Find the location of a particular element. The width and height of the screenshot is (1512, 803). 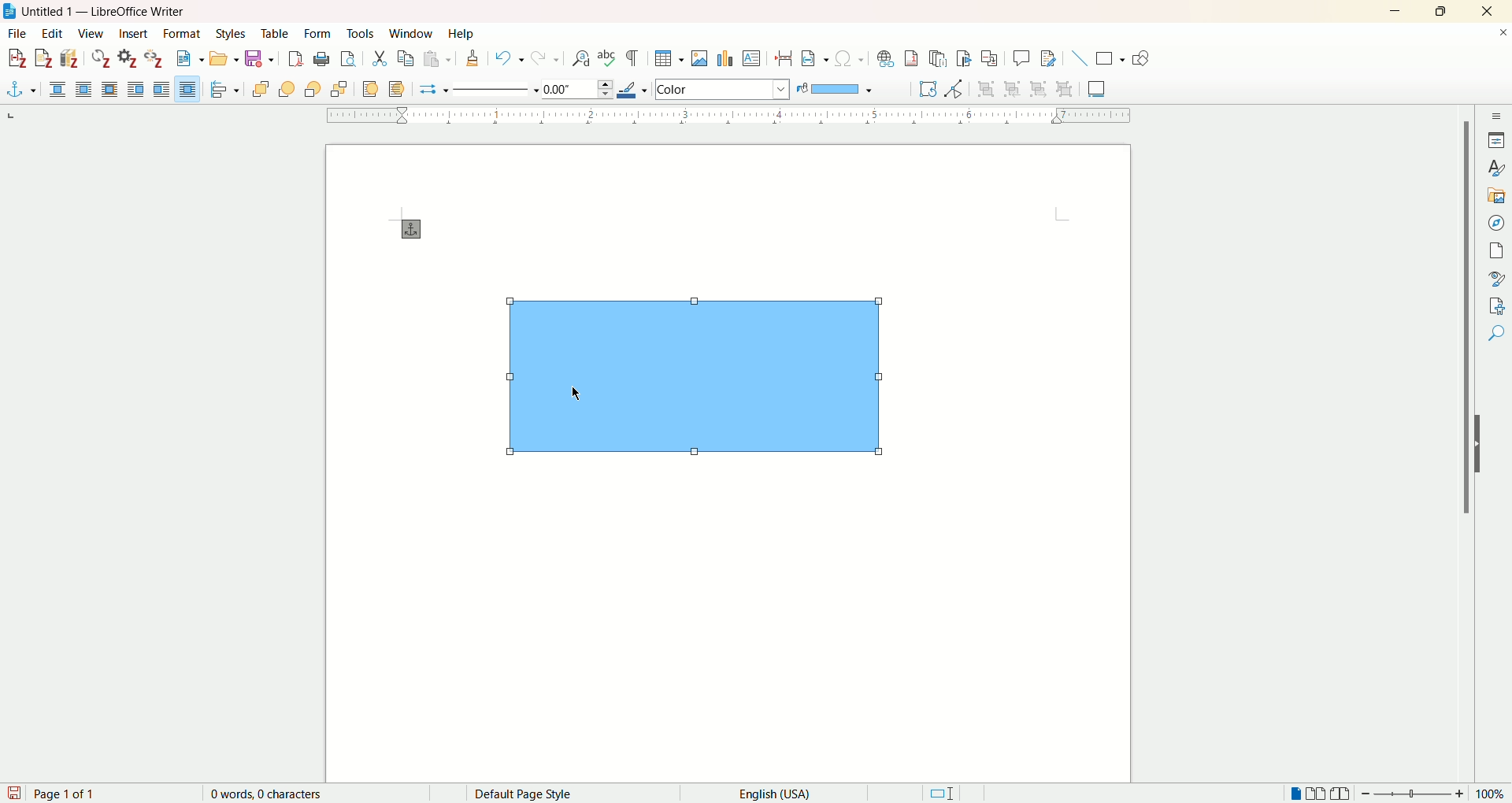

format is located at coordinates (182, 34).